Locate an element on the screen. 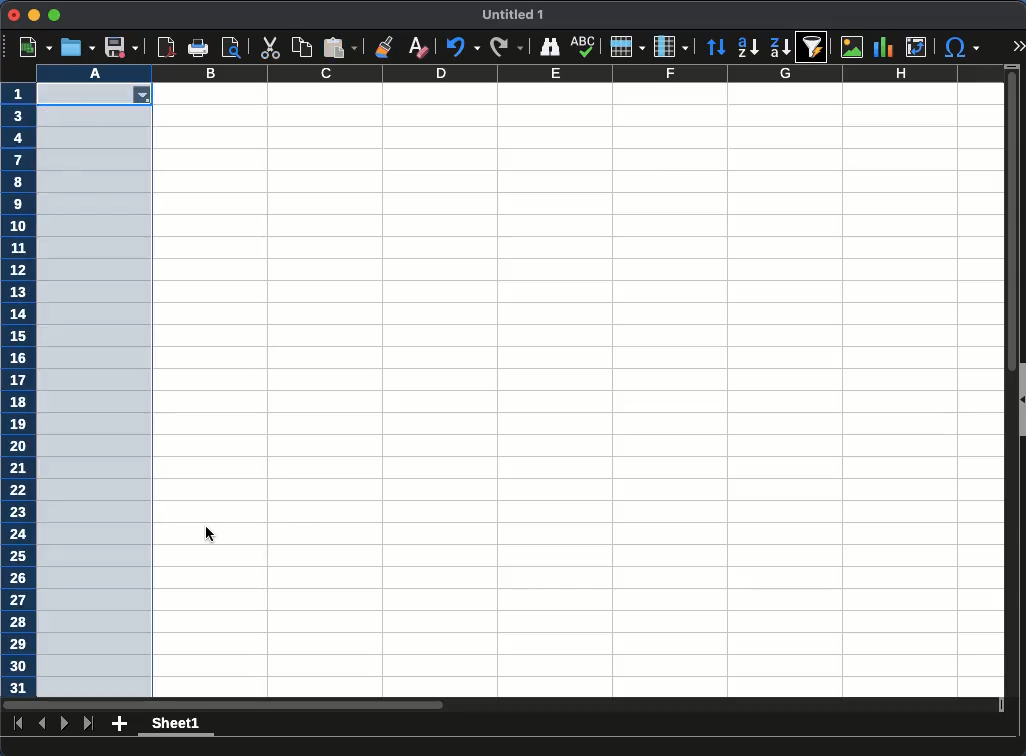 The width and height of the screenshot is (1026, 756). spell check is located at coordinates (585, 46).